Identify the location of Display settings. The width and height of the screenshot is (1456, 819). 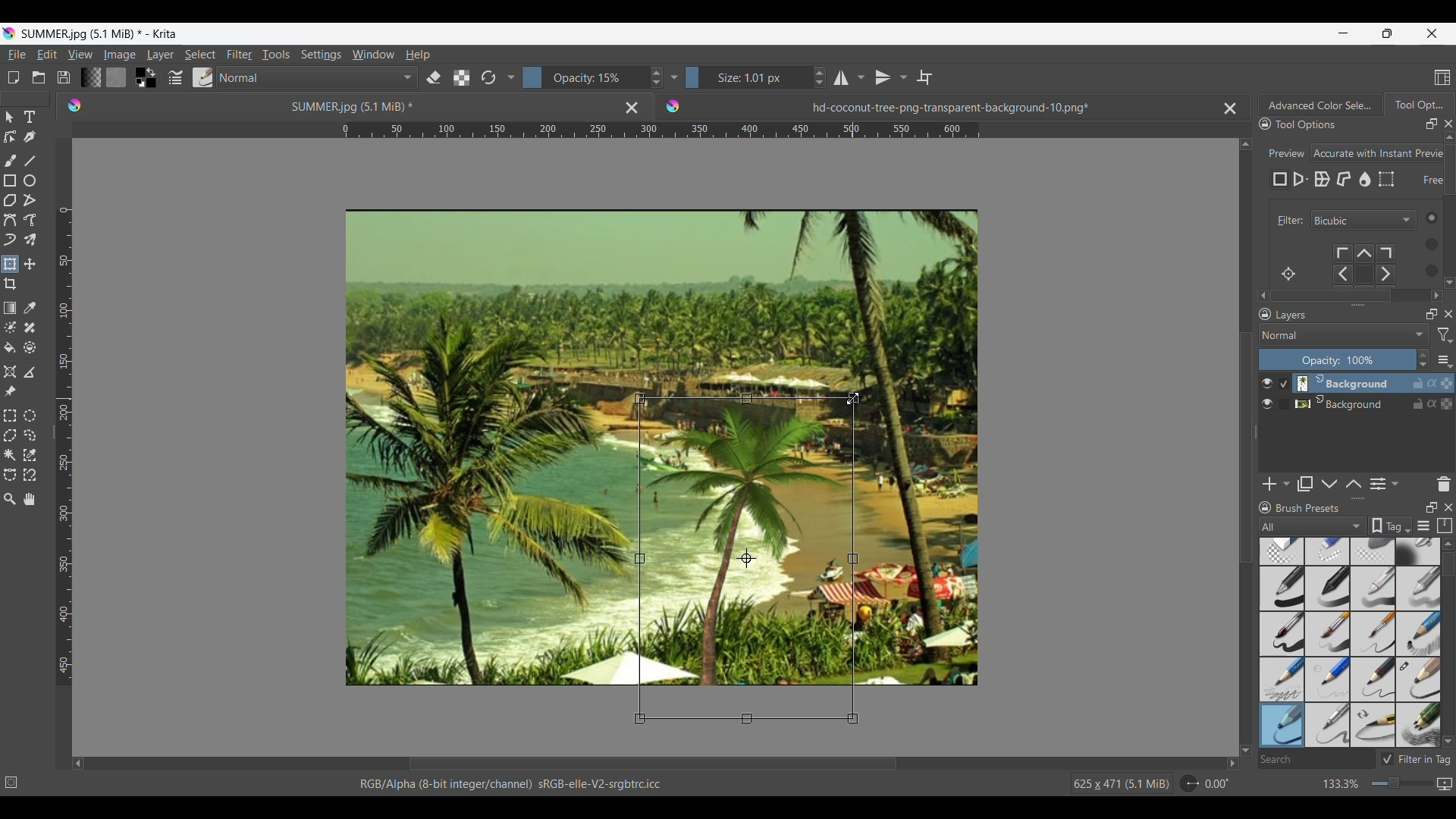
(1423, 527).